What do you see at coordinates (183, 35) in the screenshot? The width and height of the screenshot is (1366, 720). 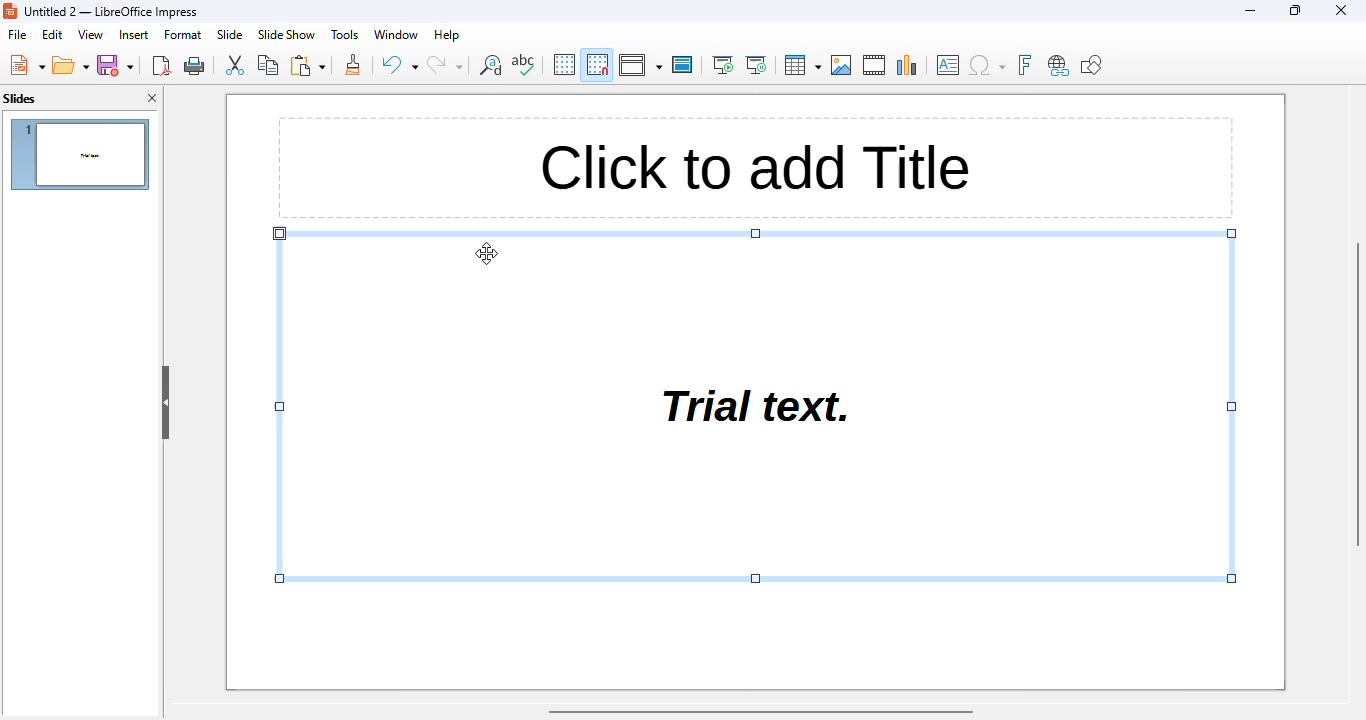 I see `format` at bounding box center [183, 35].